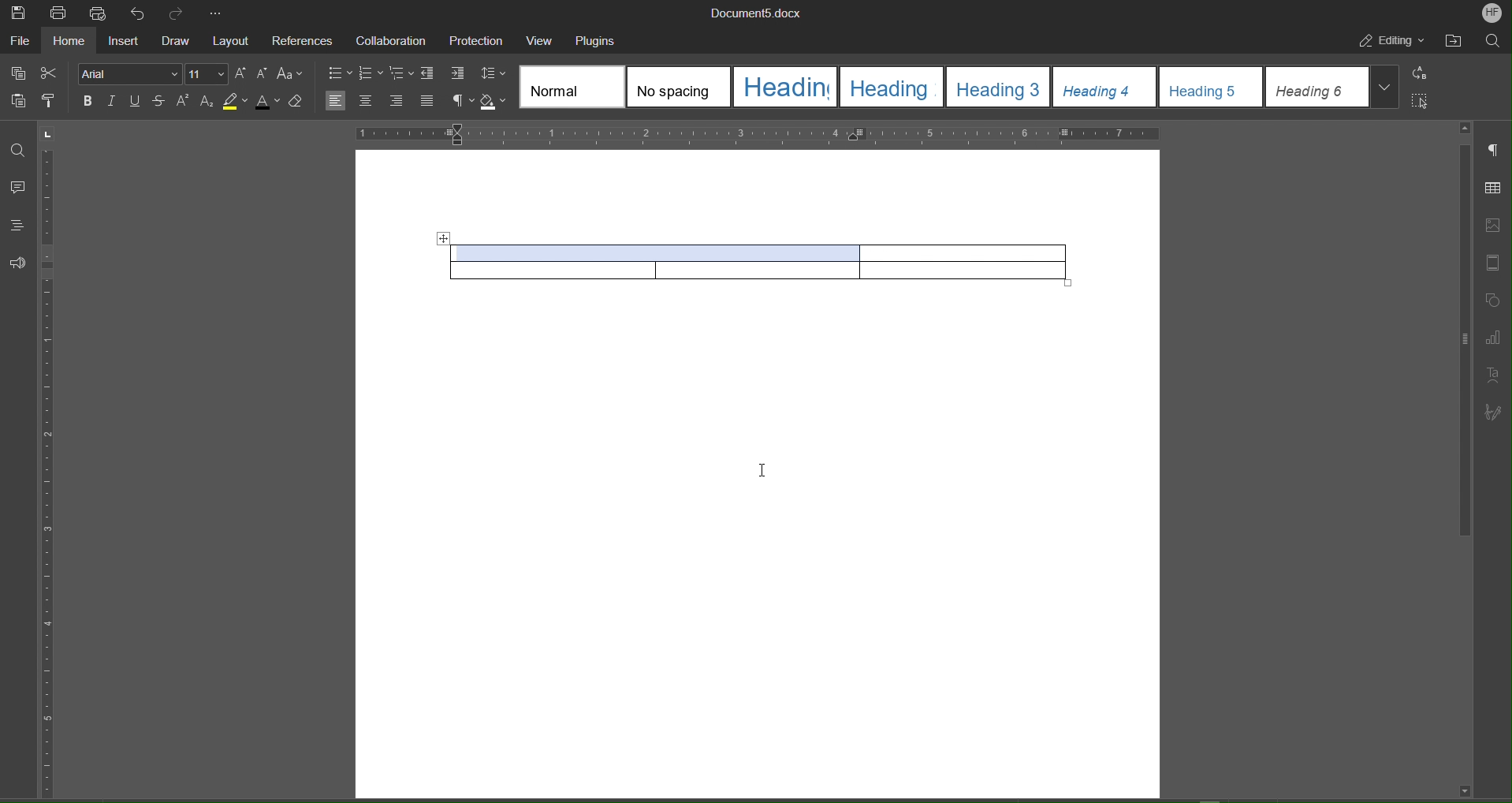 This screenshot has height=803, width=1512. I want to click on Find, so click(18, 151).